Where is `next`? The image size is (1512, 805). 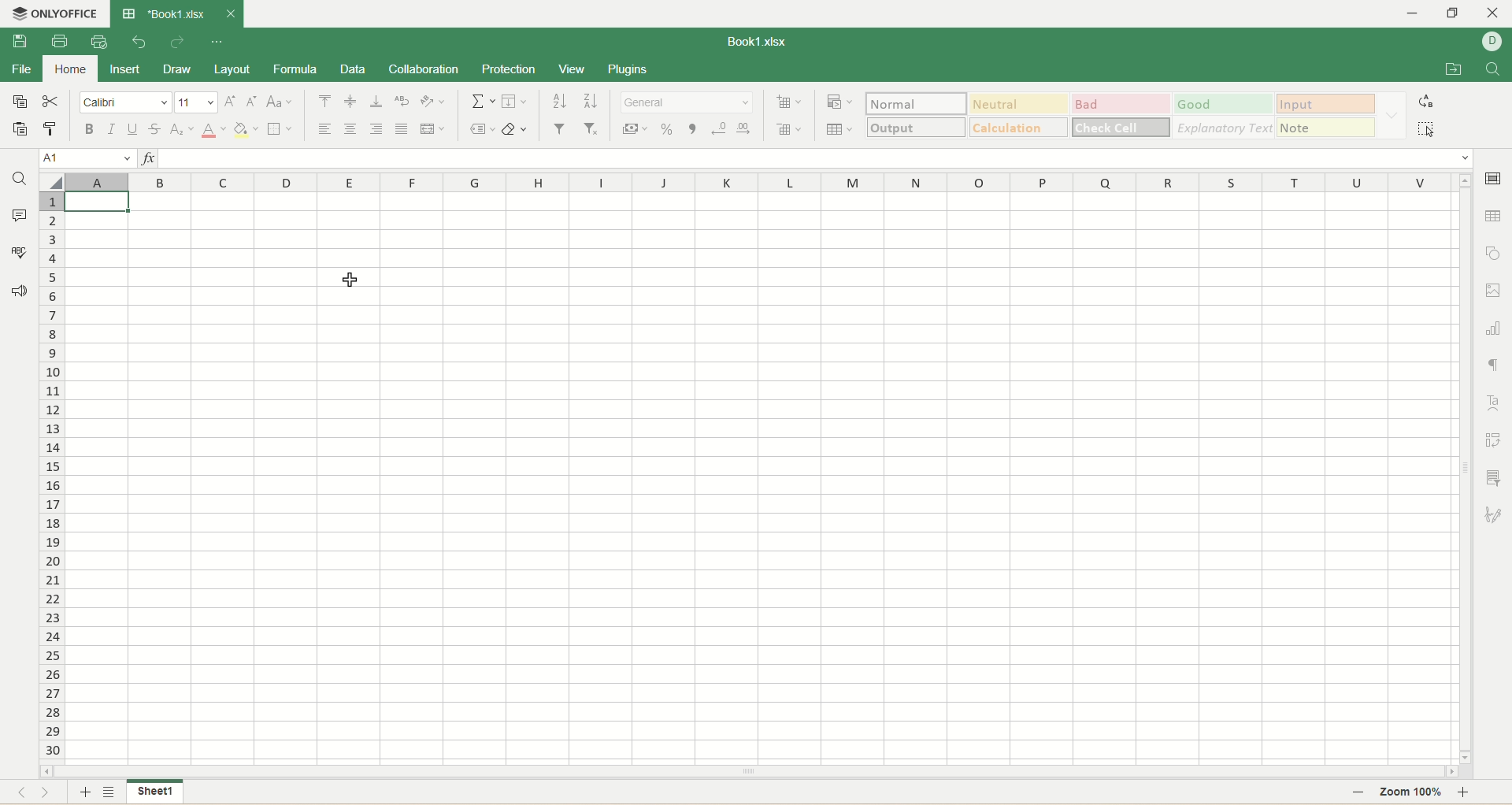
next is located at coordinates (46, 793).